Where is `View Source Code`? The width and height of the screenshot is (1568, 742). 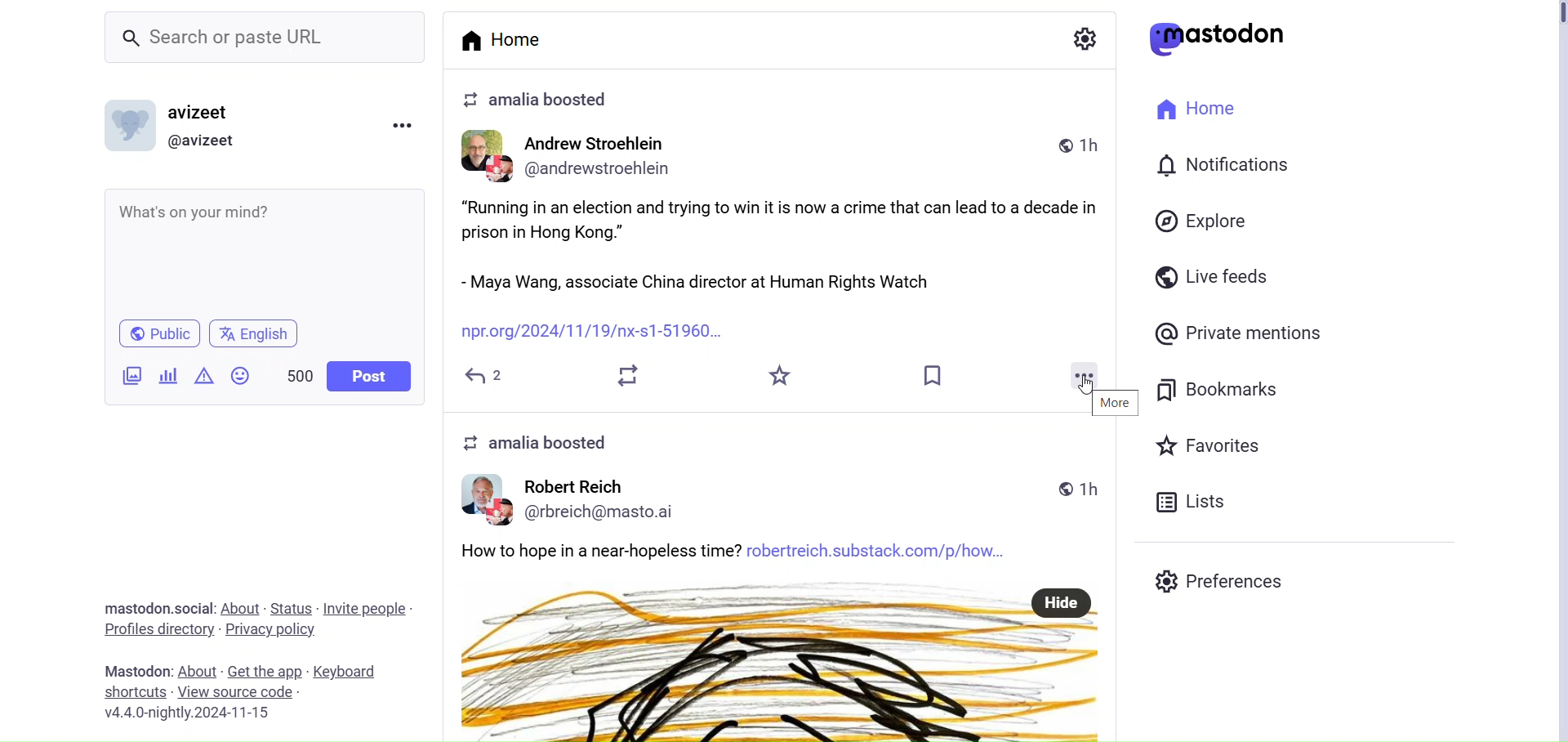
View Source Code is located at coordinates (237, 692).